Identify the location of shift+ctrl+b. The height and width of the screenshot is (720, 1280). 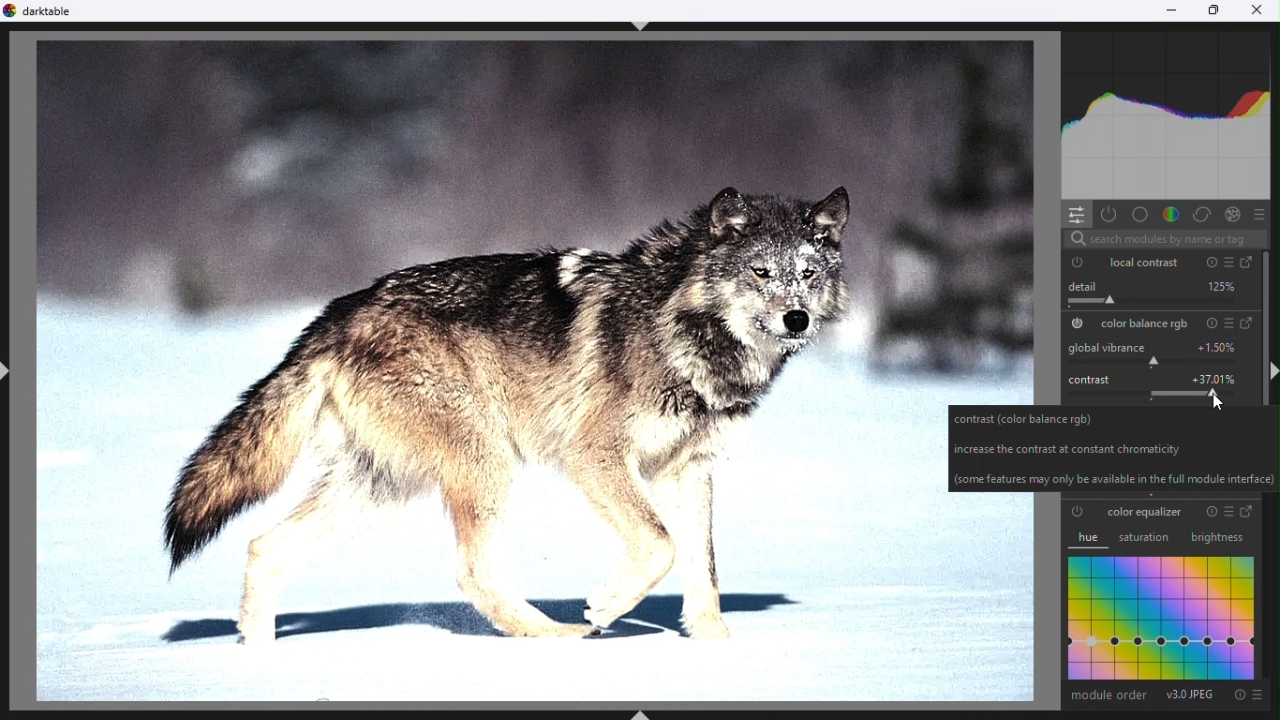
(643, 712).